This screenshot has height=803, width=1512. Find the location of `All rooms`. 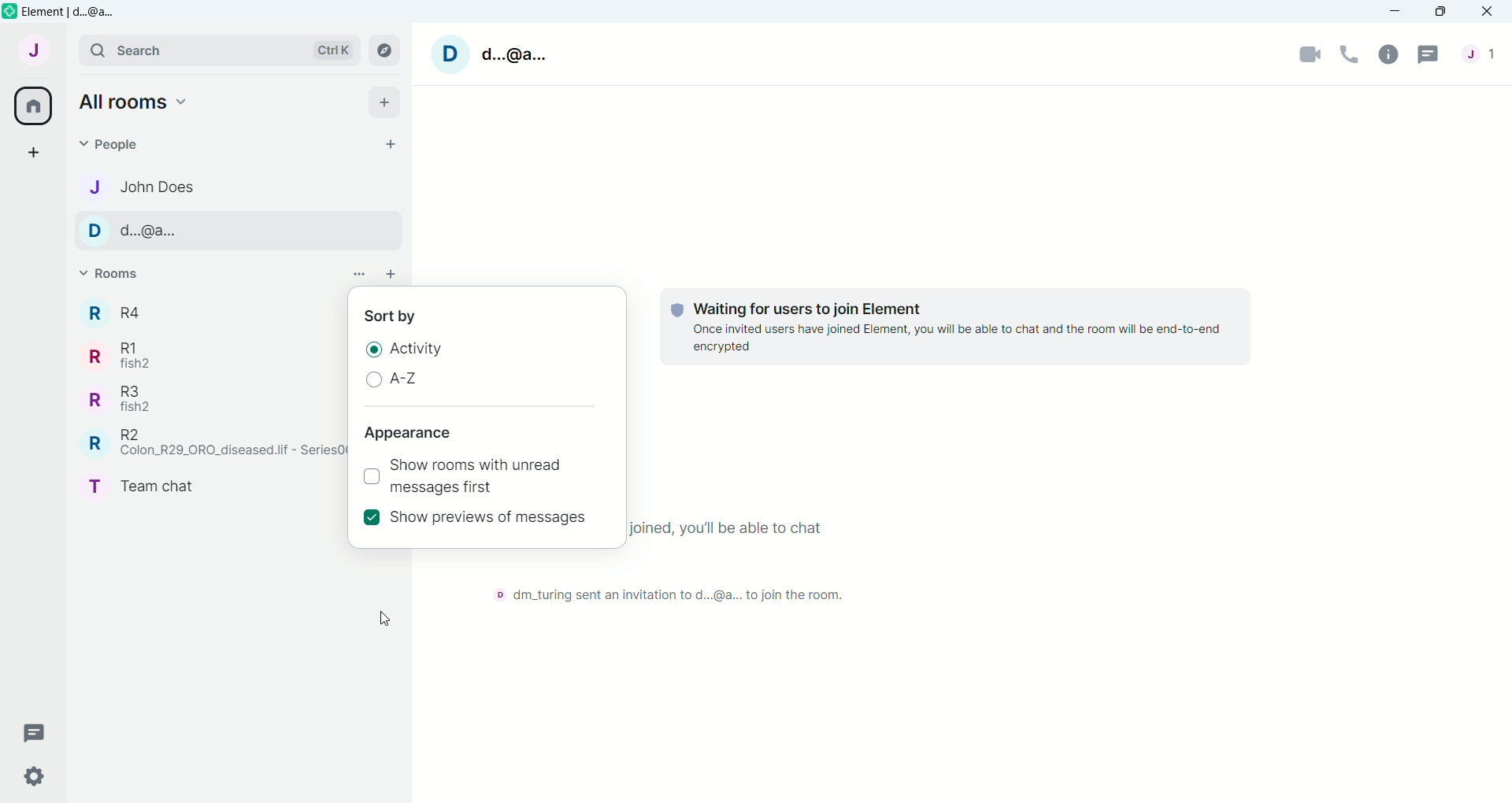

All rooms is located at coordinates (32, 105).